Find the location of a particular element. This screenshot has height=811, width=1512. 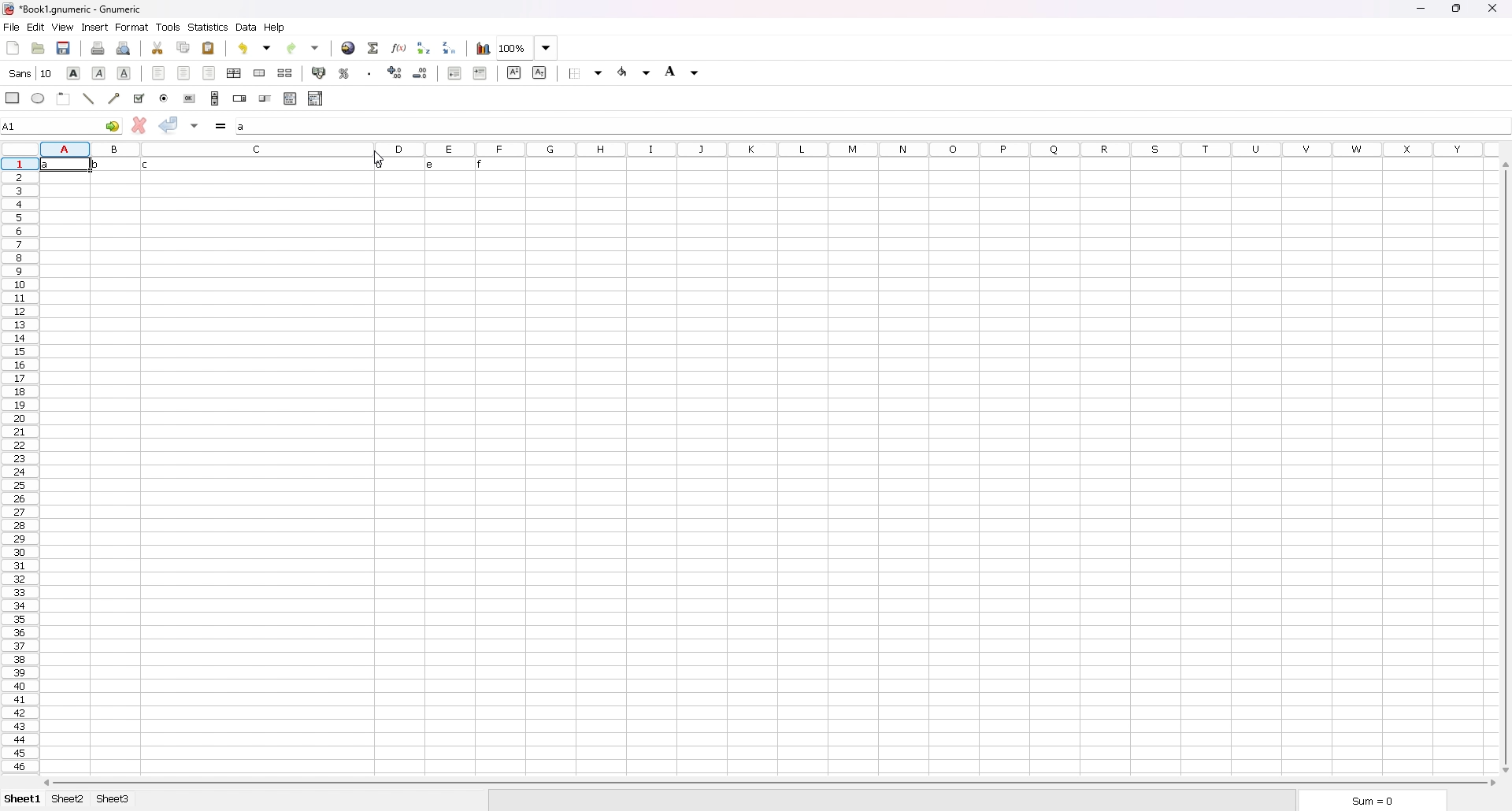

minimize is located at coordinates (1420, 9).